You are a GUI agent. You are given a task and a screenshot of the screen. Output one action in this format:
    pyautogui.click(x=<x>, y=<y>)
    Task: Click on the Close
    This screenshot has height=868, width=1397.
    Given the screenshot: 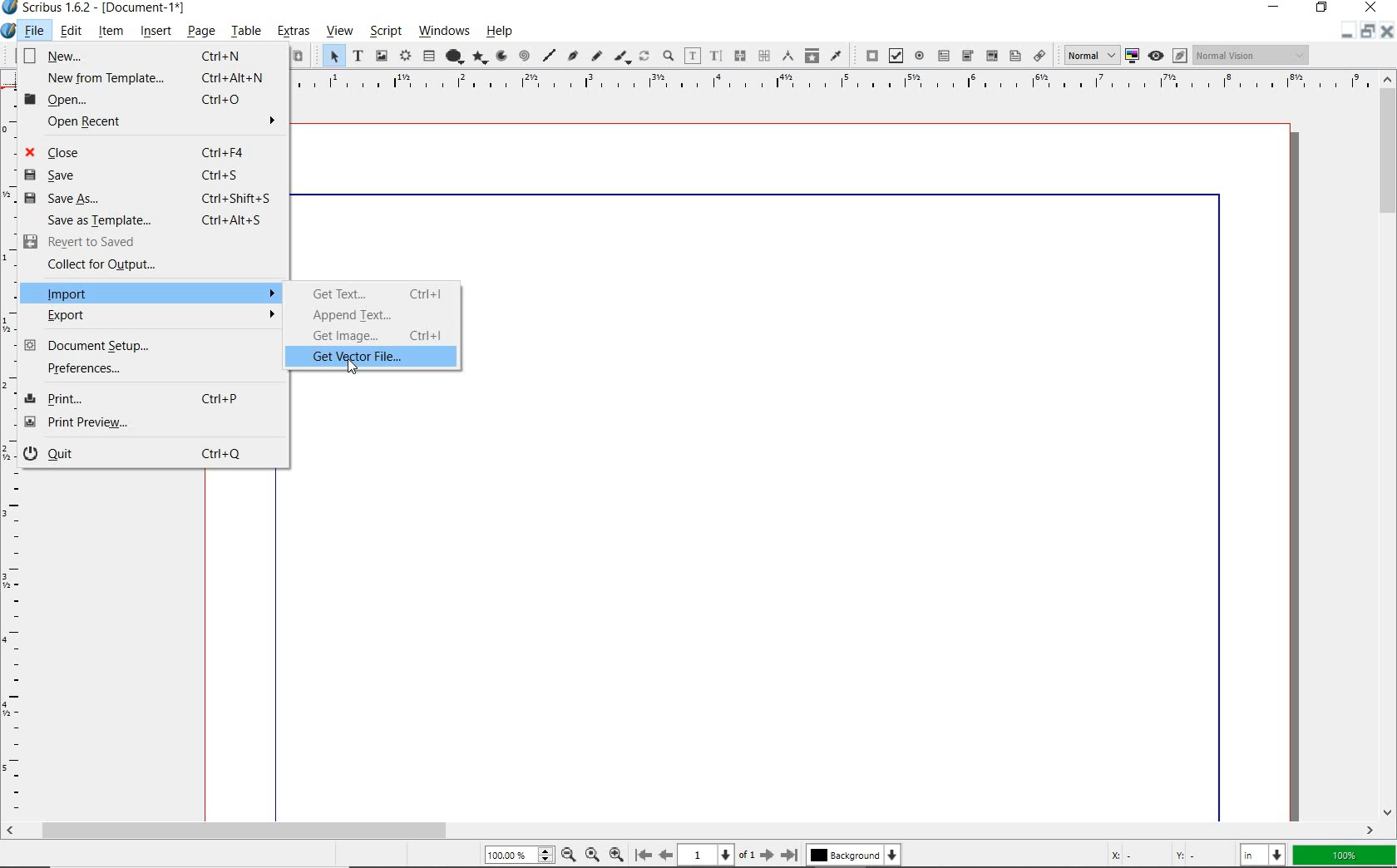 What is the action you would take?
    pyautogui.click(x=1389, y=31)
    